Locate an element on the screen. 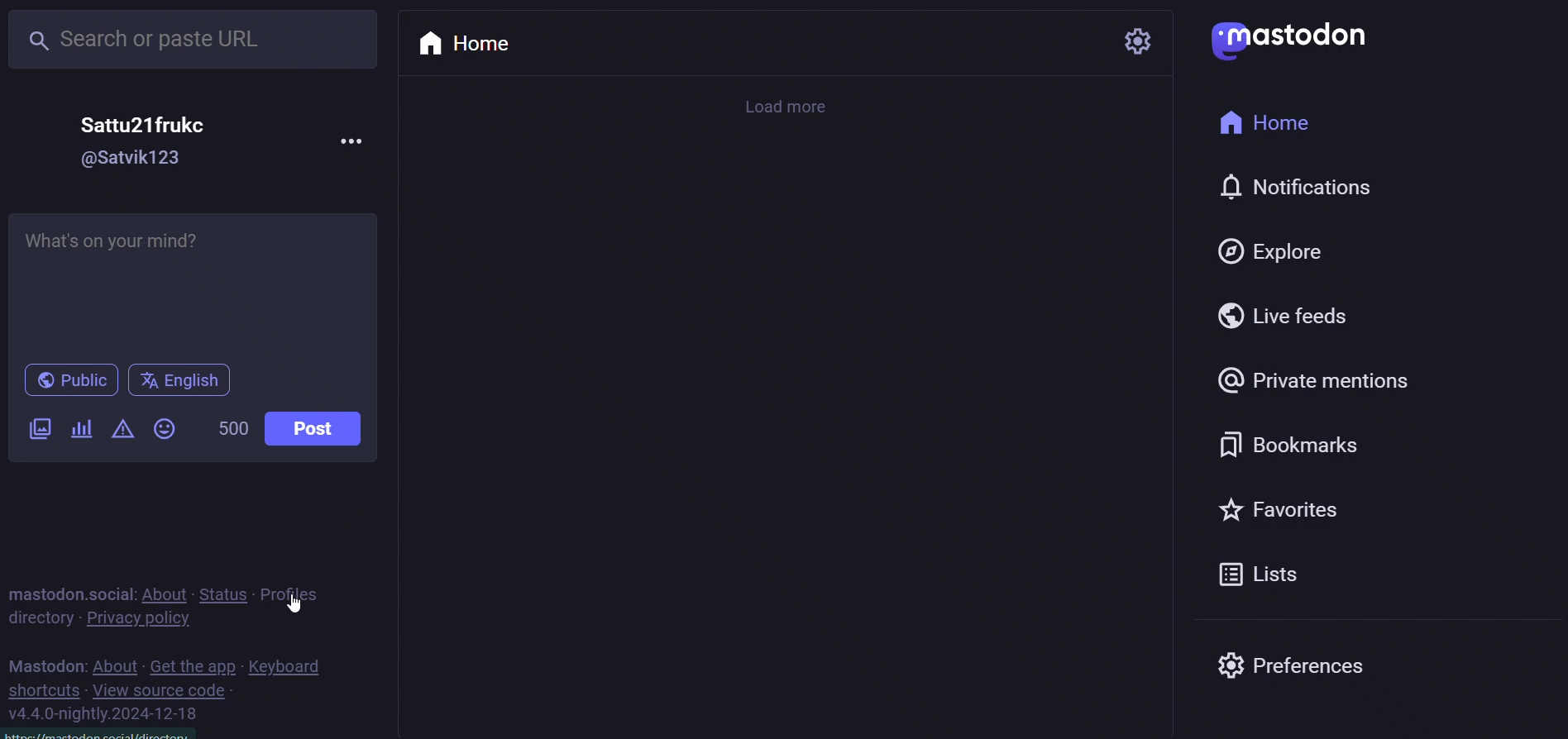  id is located at coordinates (127, 160).